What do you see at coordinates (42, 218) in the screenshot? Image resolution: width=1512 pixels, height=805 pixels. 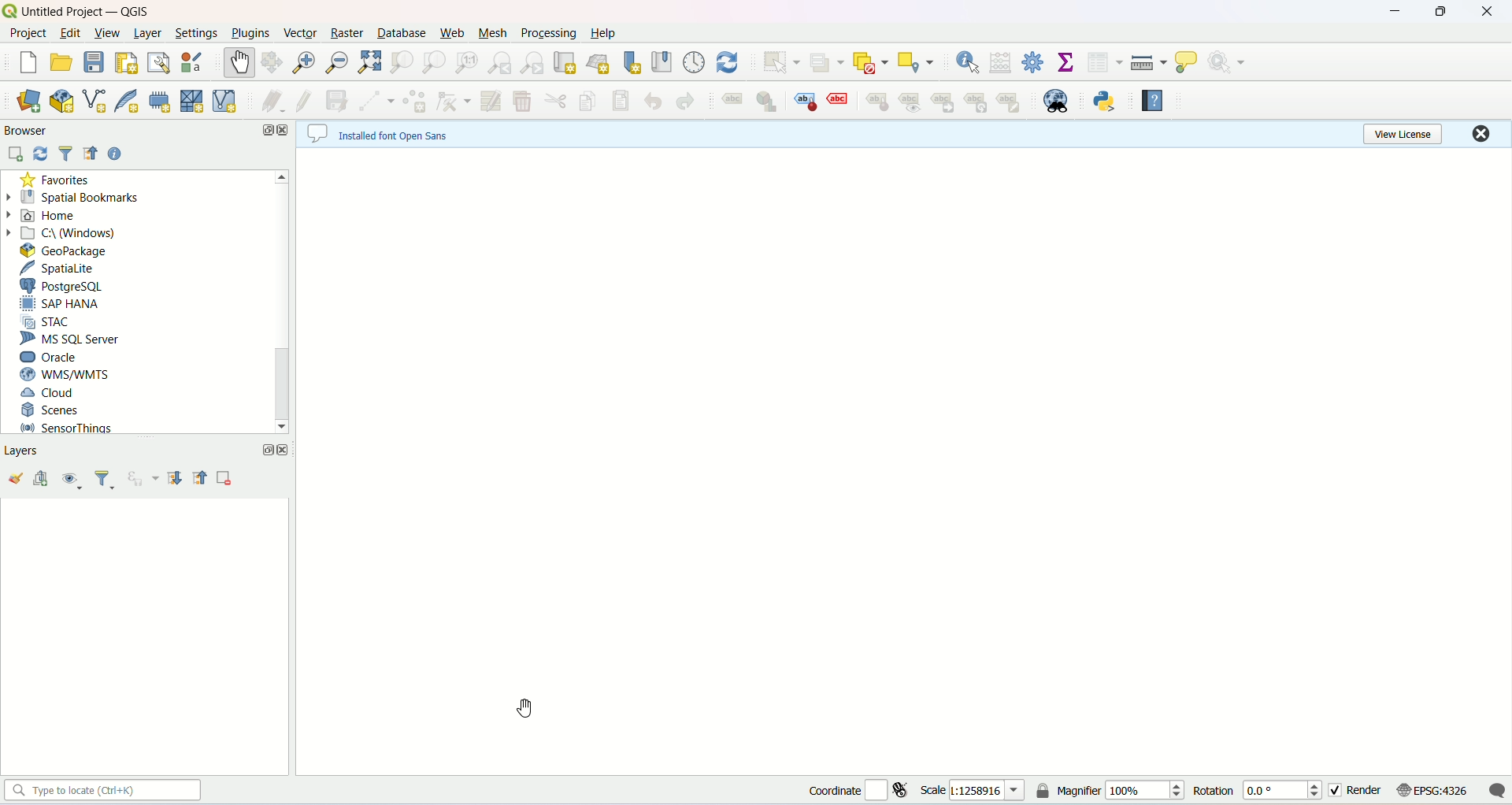 I see `home` at bounding box center [42, 218].